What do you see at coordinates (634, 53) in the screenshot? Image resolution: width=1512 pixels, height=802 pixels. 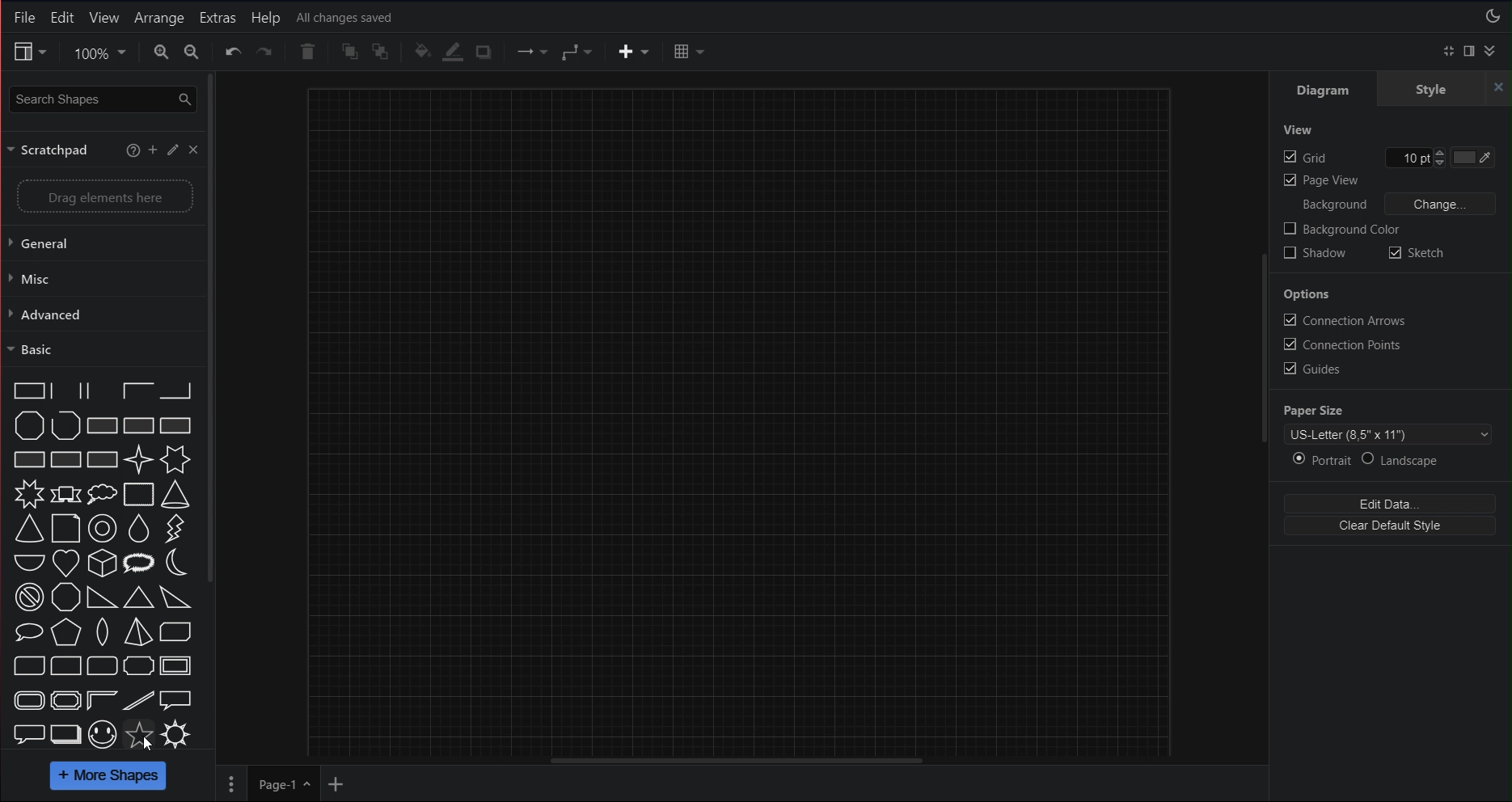 I see `Insert` at bounding box center [634, 53].